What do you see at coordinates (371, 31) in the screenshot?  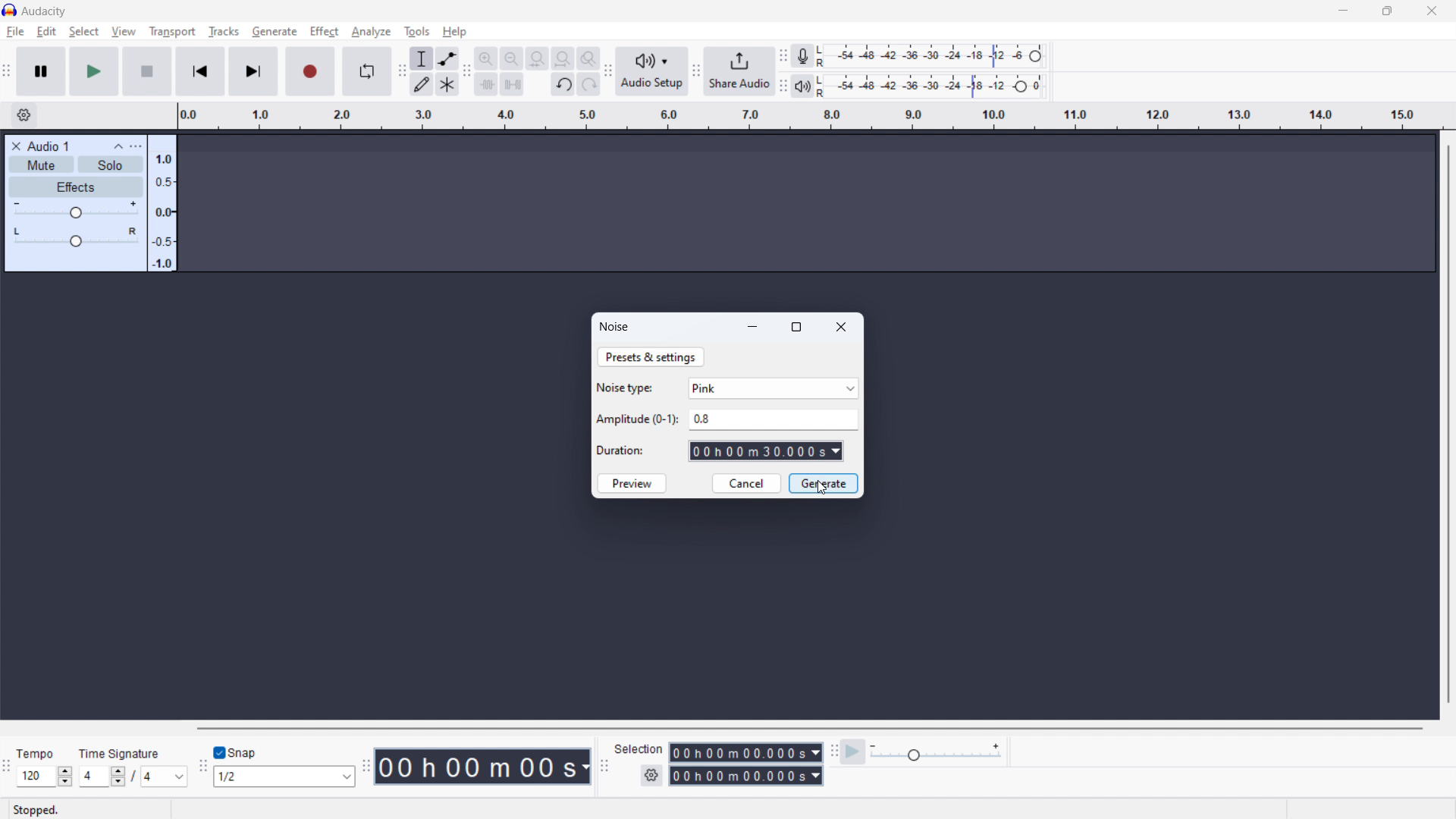 I see `analyze` at bounding box center [371, 31].